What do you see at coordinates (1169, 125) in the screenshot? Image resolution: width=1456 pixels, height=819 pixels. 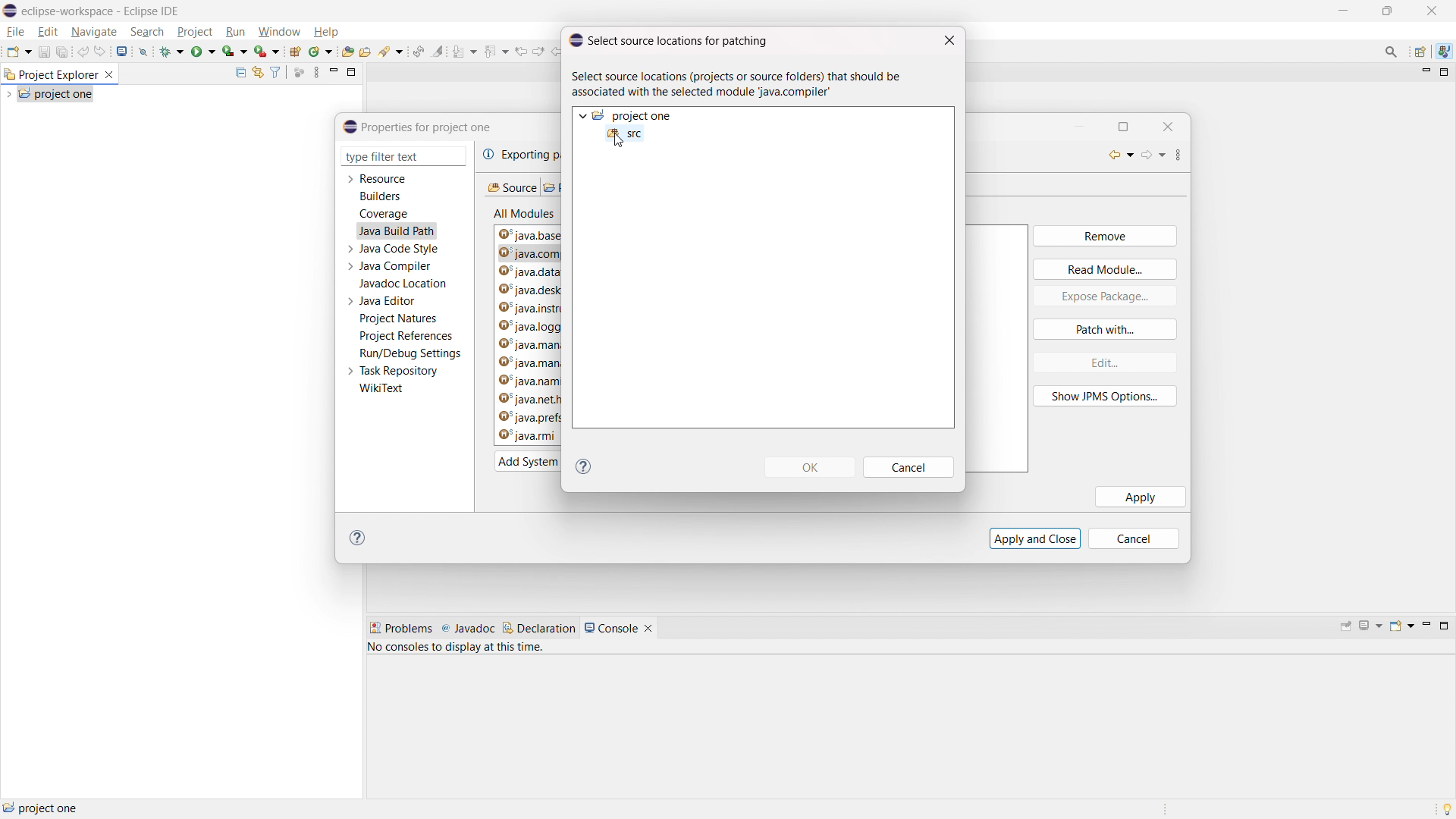 I see `close` at bounding box center [1169, 125].